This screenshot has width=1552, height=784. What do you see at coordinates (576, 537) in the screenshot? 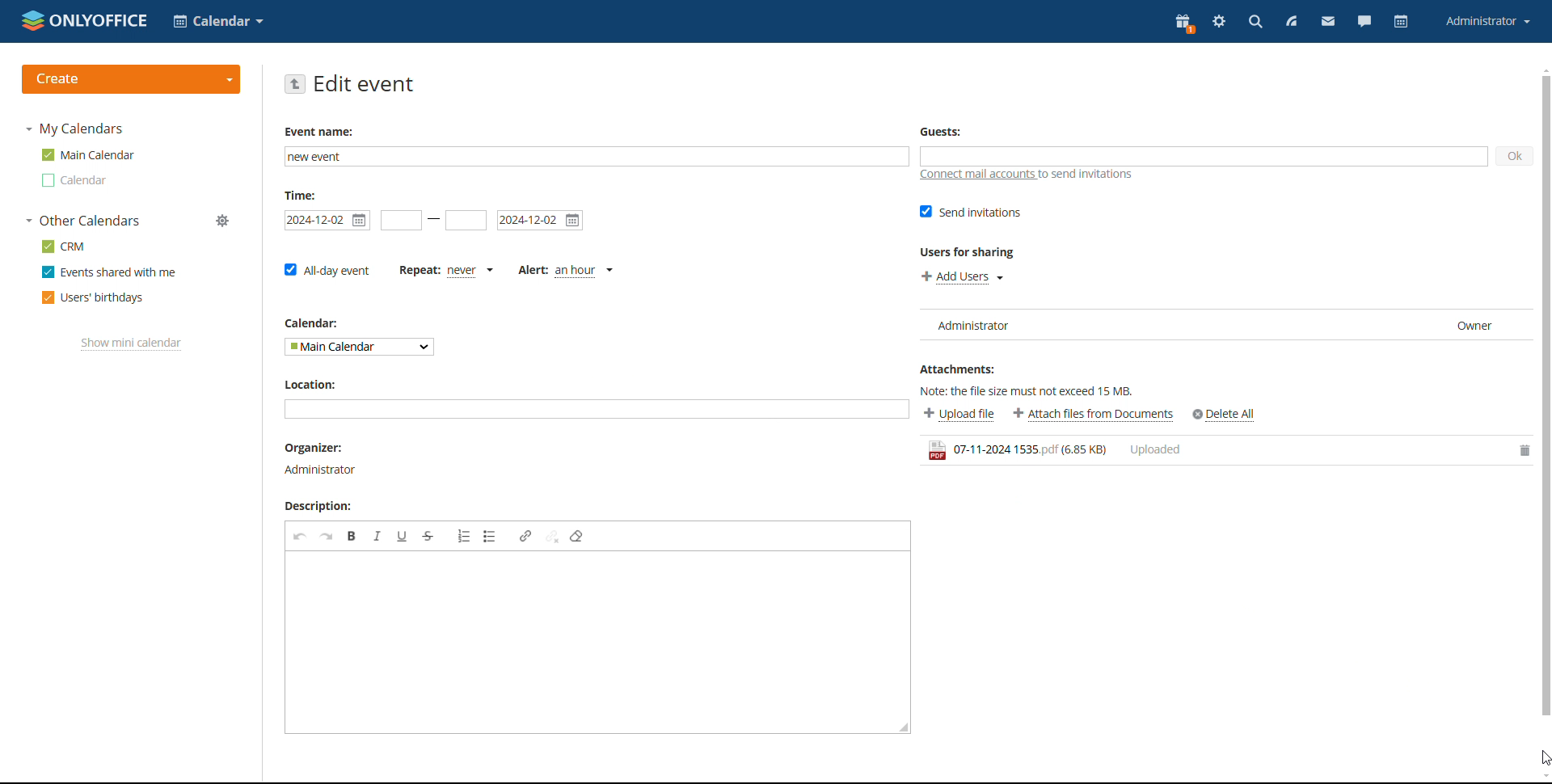
I see `remove format` at bounding box center [576, 537].